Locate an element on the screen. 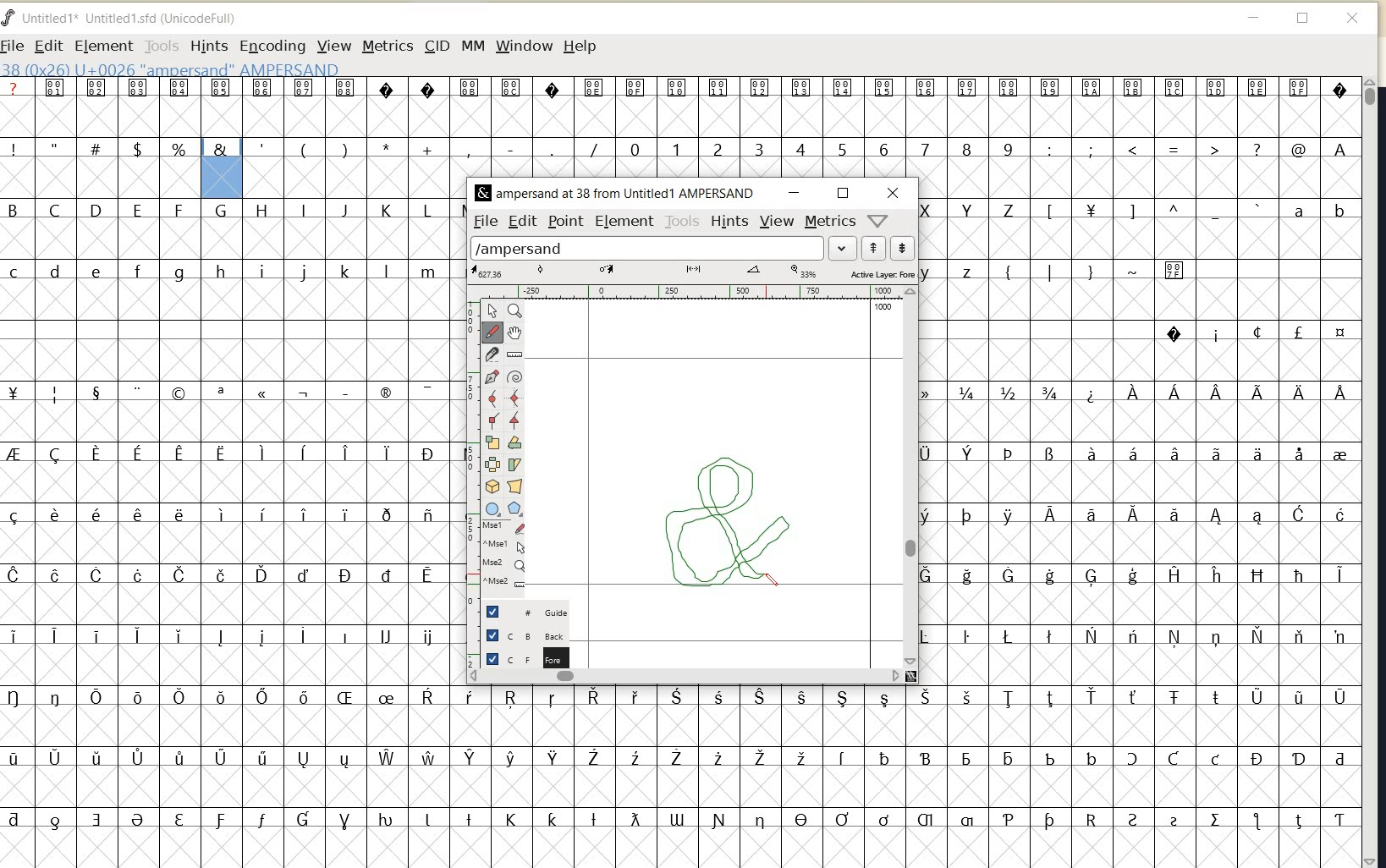  BACKGROUND is located at coordinates (517, 635).